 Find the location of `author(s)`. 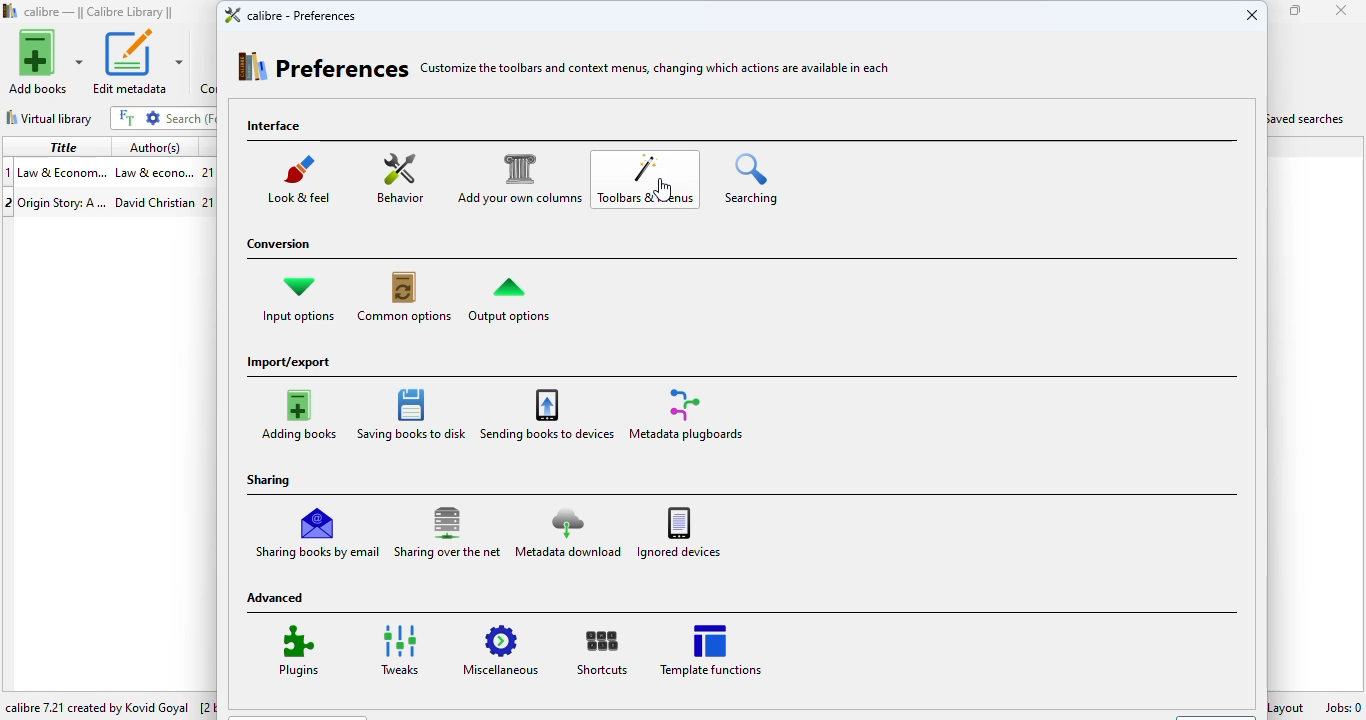

author(s) is located at coordinates (155, 148).